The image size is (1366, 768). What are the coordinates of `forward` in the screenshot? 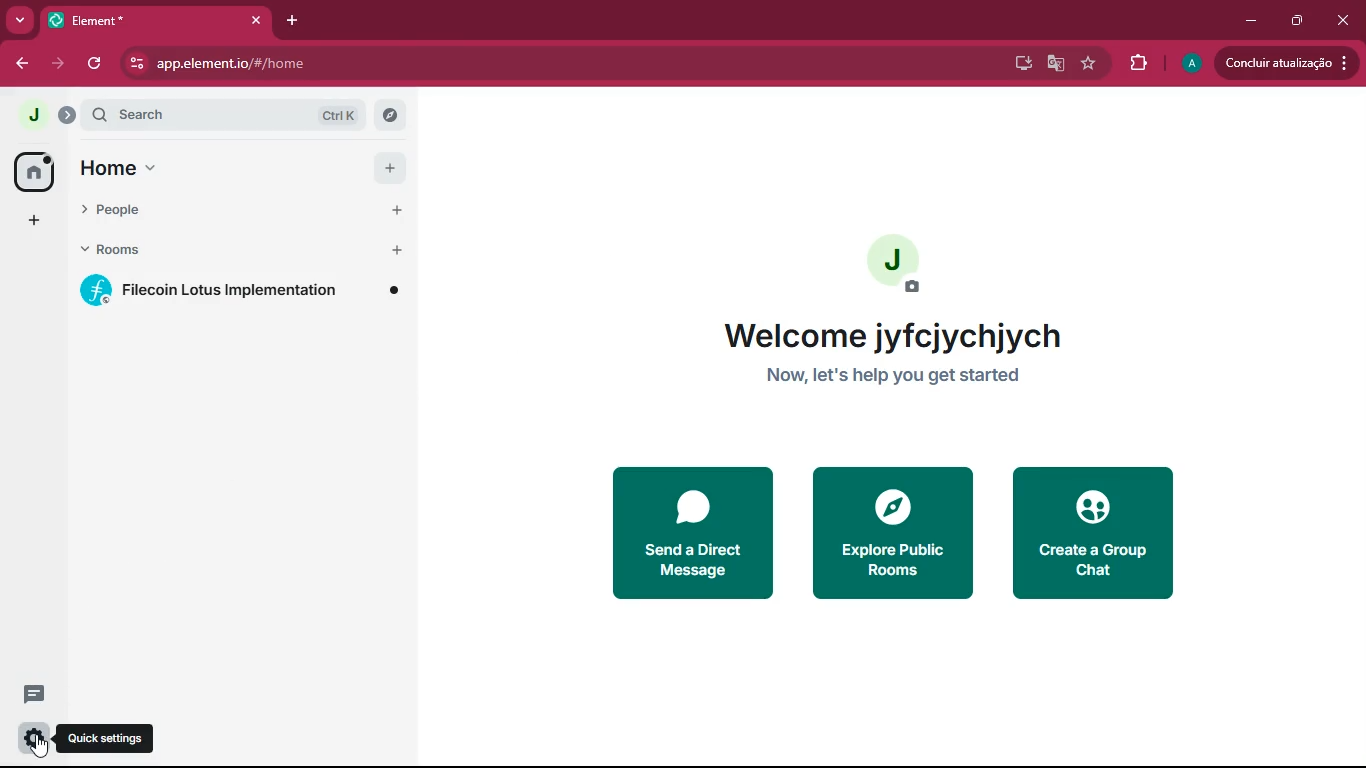 It's located at (55, 64).